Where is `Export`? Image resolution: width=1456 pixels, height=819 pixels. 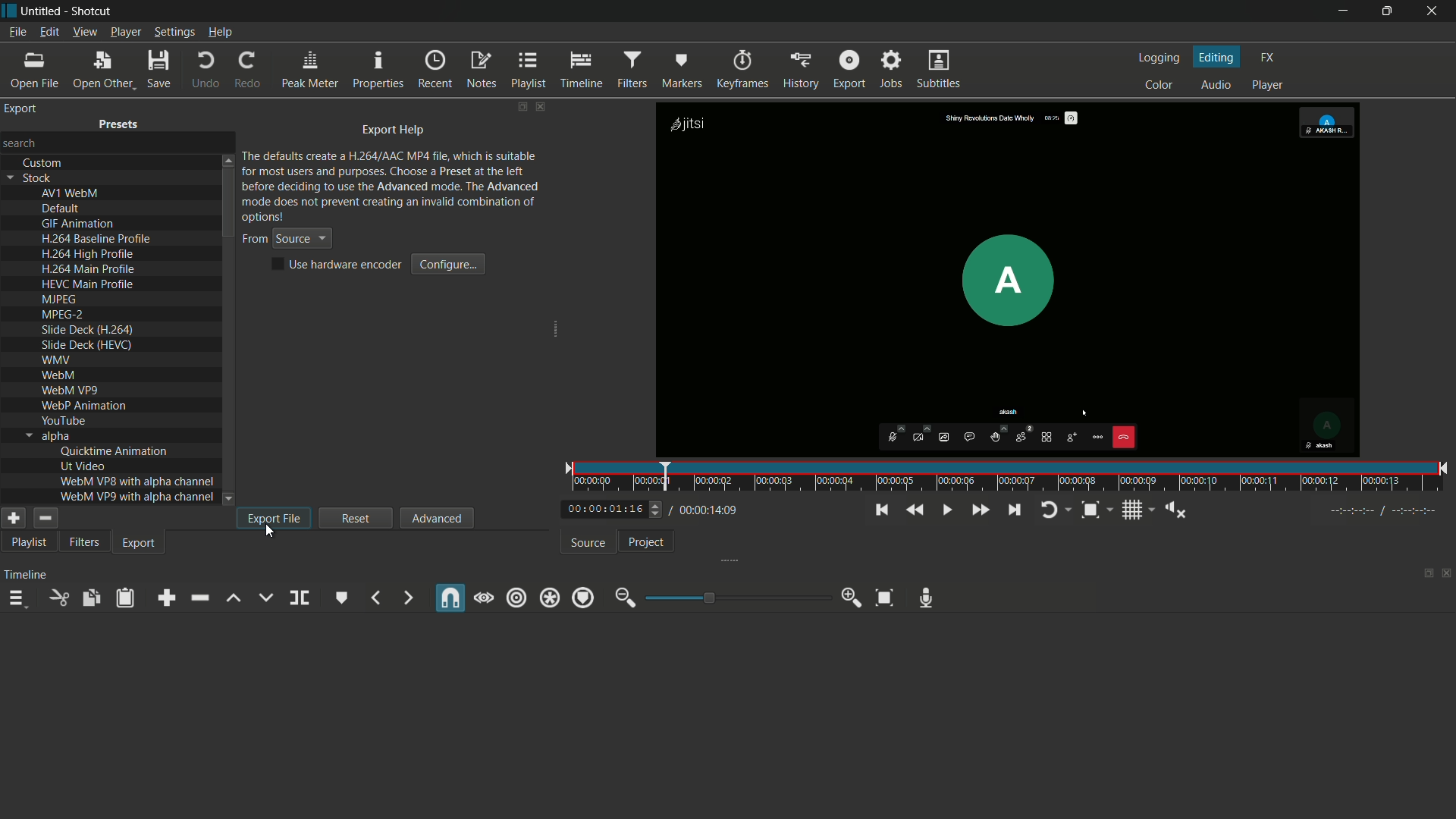 Export is located at coordinates (141, 543).